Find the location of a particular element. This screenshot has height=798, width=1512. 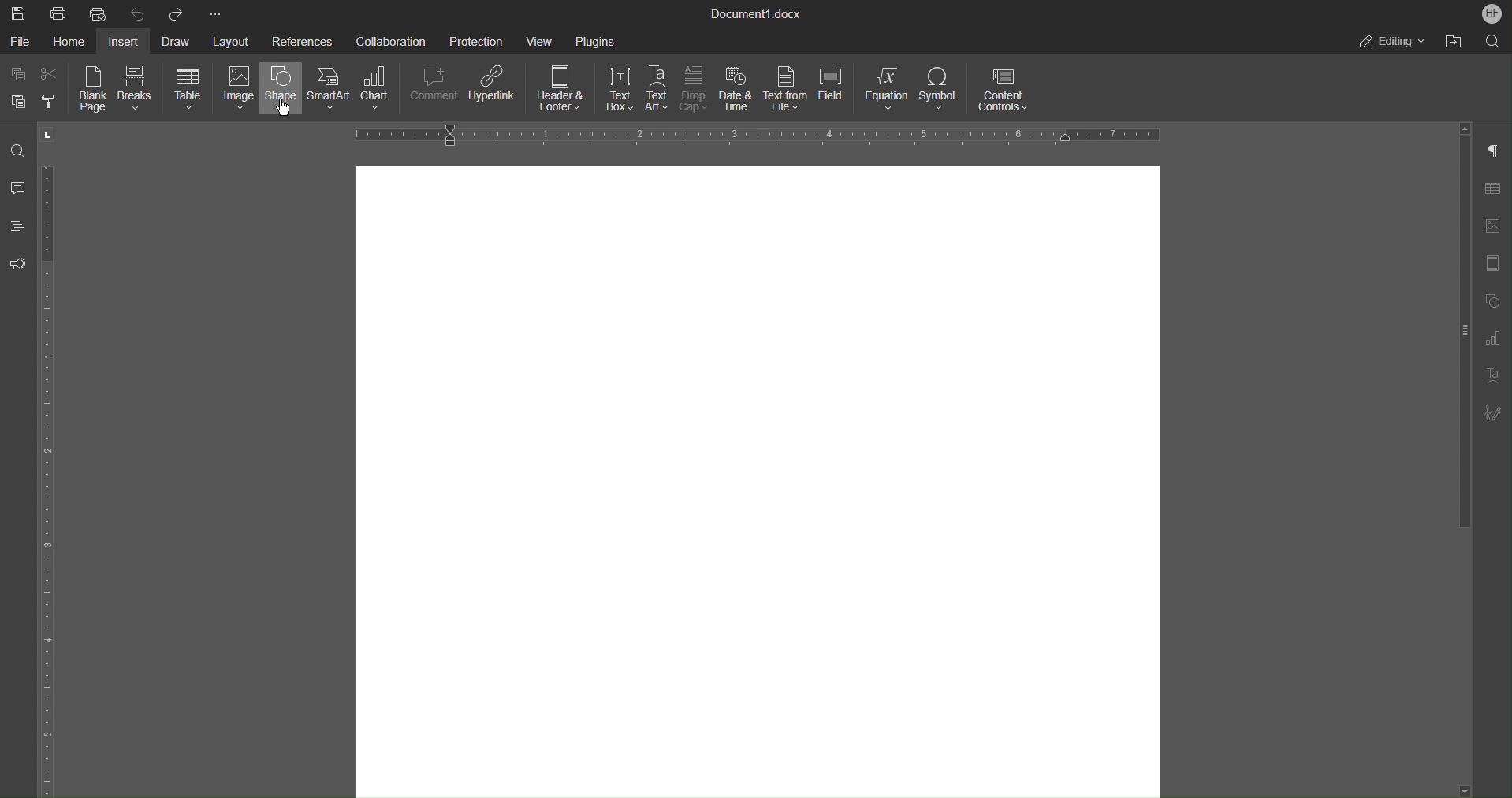

Redo is located at coordinates (177, 13).